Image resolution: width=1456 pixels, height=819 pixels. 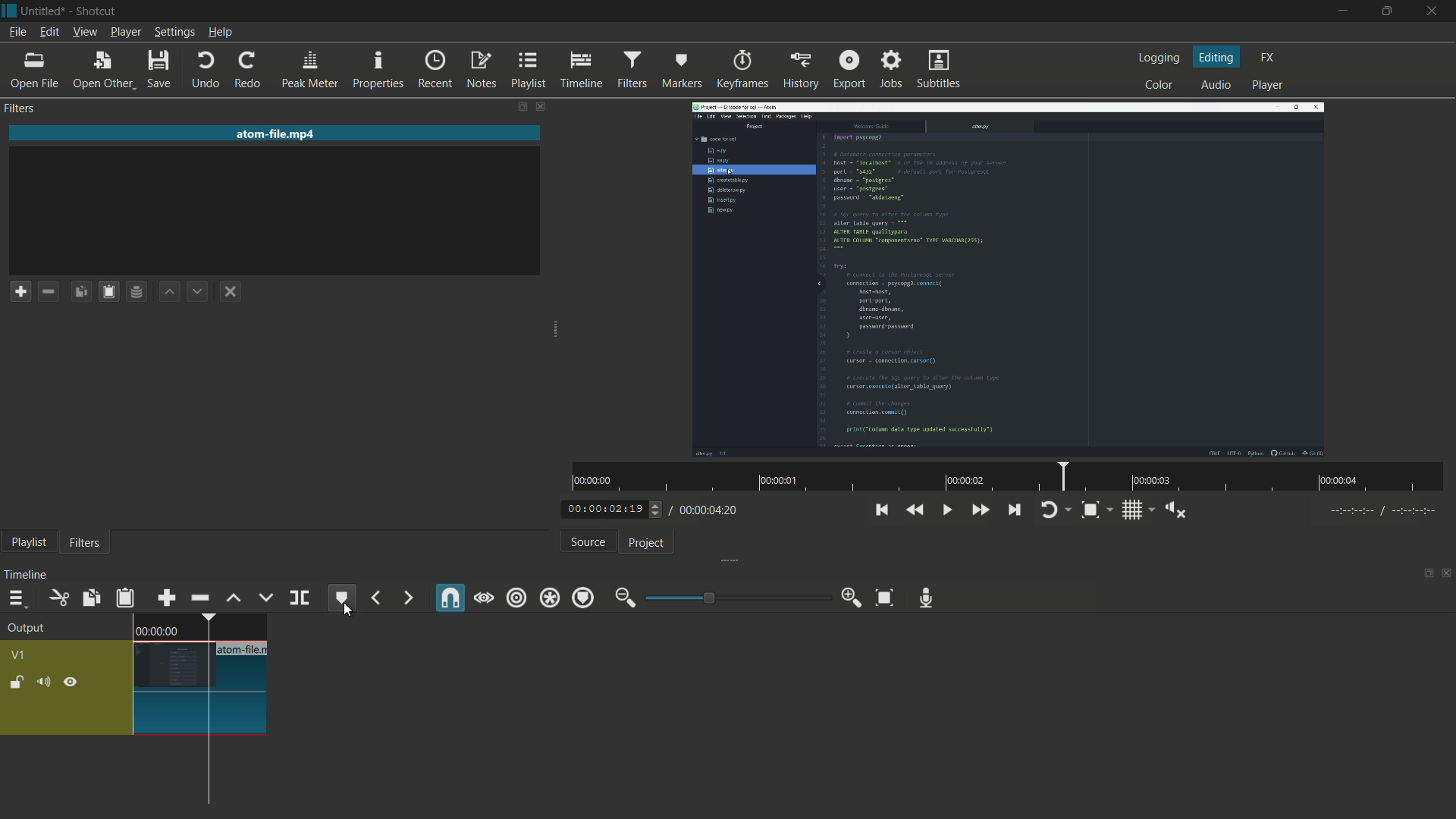 I want to click on record audio, so click(x=927, y=599).